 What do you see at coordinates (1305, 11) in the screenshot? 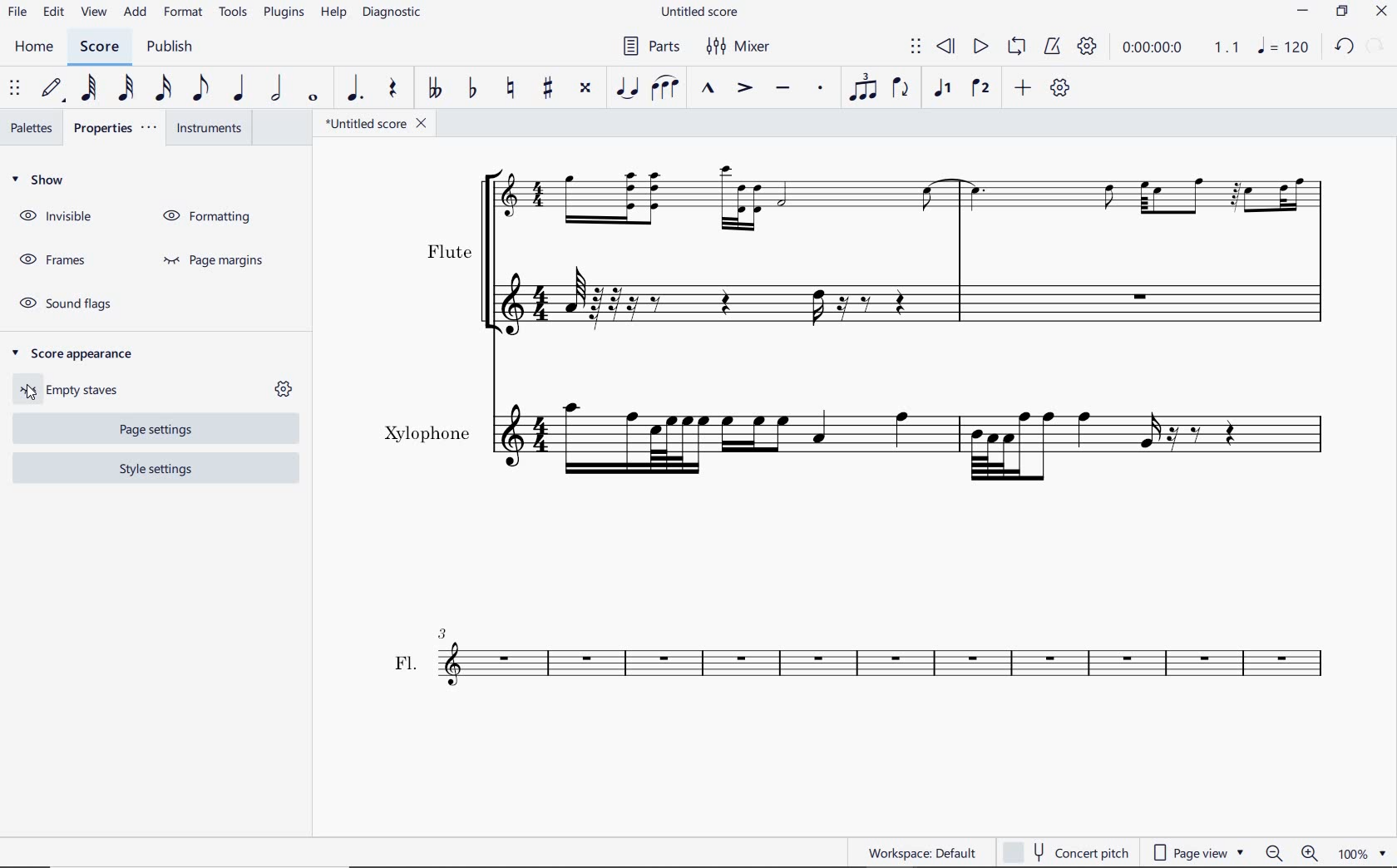
I see `MINIMIZE` at bounding box center [1305, 11].